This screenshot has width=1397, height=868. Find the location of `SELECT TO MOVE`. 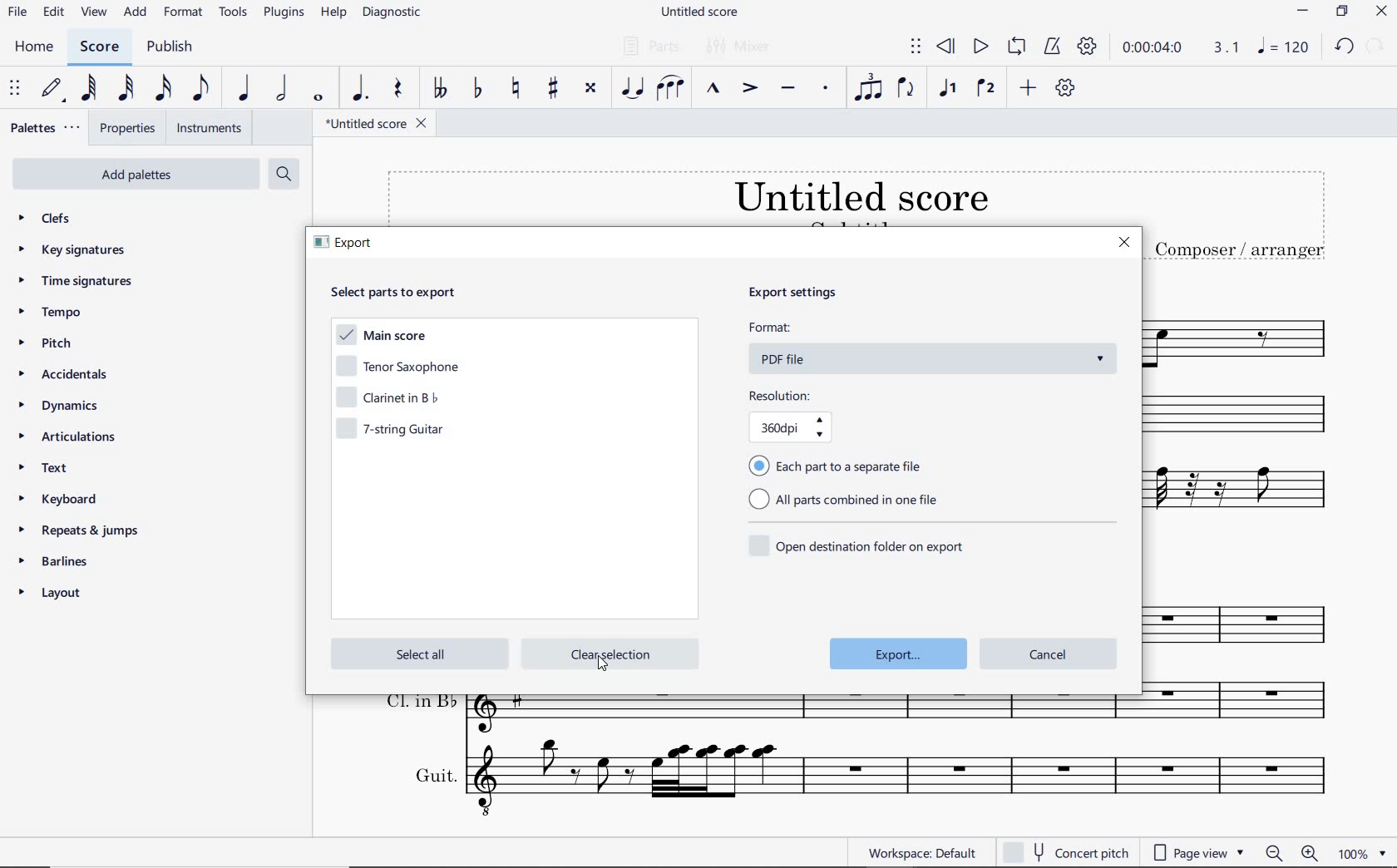

SELECT TO MOVE is located at coordinates (16, 90).